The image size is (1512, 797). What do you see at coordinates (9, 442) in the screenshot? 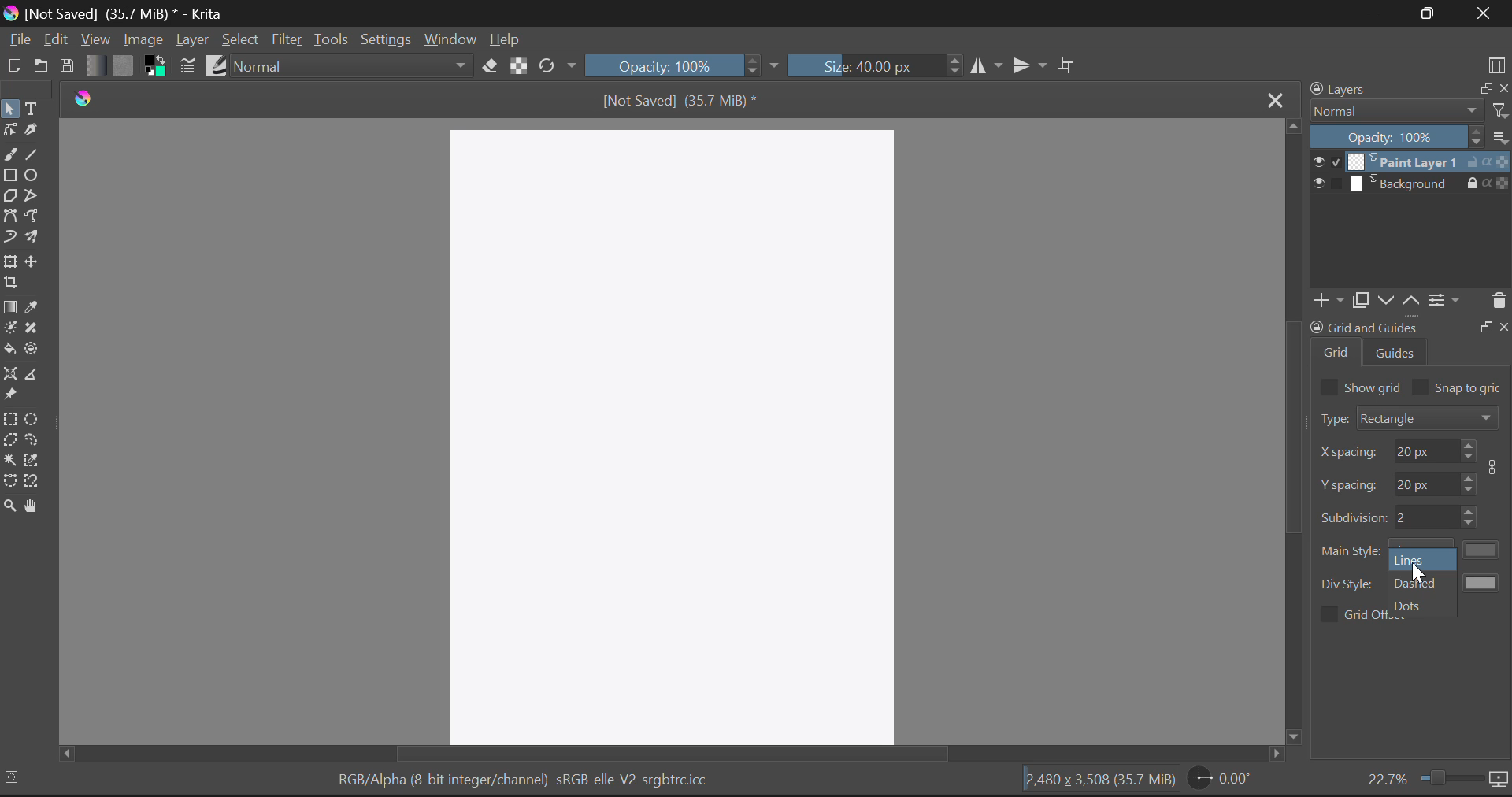
I see `Polygon Selection` at bounding box center [9, 442].